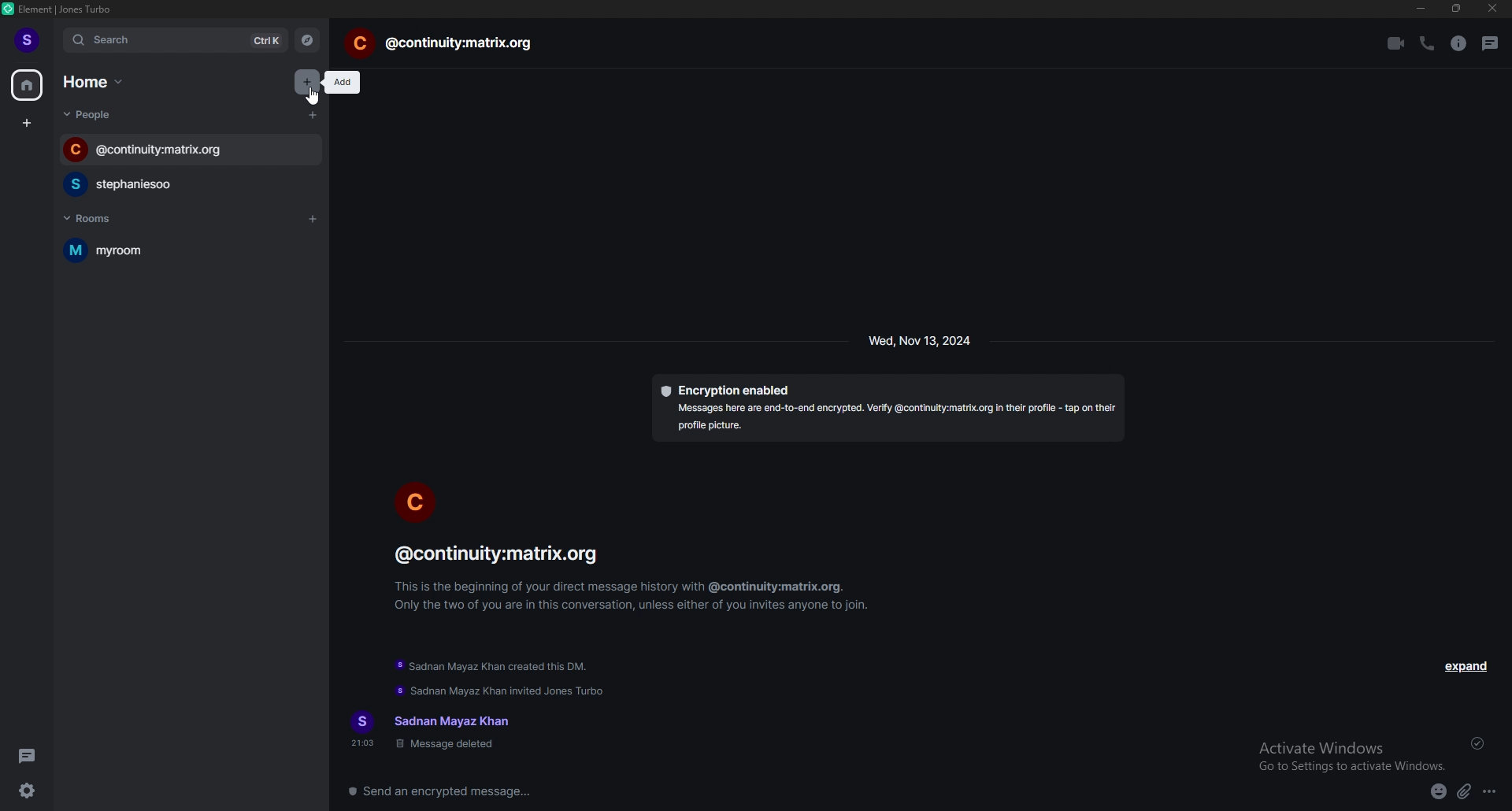 This screenshot has width=1512, height=811. What do you see at coordinates (192, 150) in the screenshot?
I see `chat` at bounding box center [192, 150].